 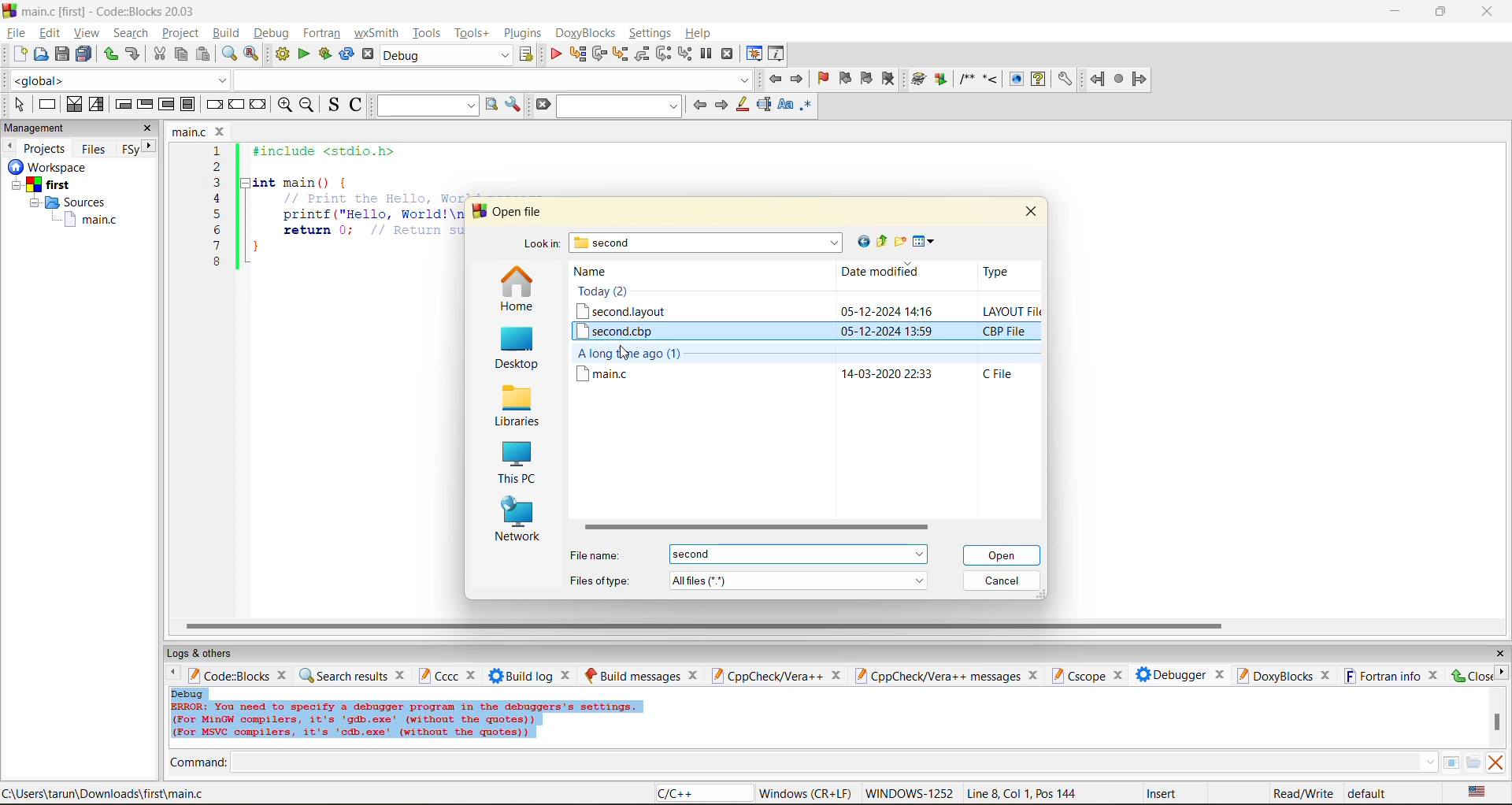 I want to click on close, so click(x=836, y=676).